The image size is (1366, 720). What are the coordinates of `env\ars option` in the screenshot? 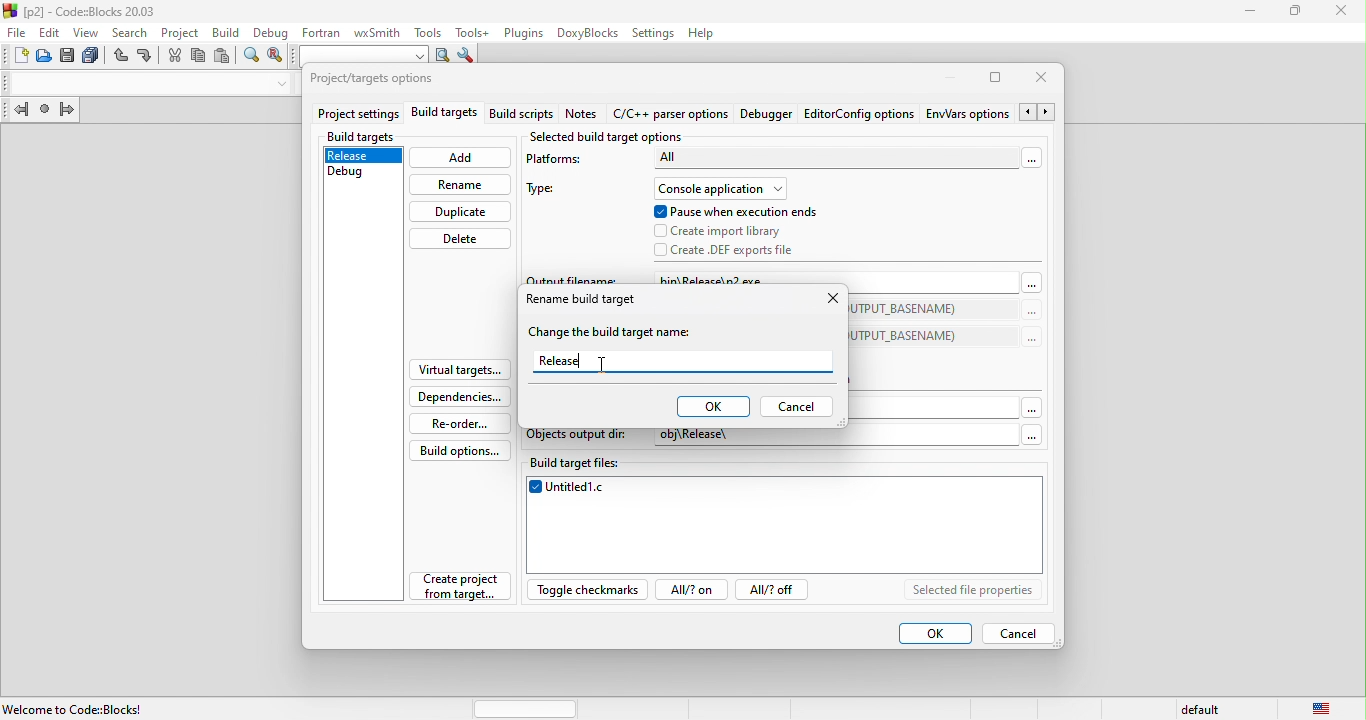 It's located at (967, 113).